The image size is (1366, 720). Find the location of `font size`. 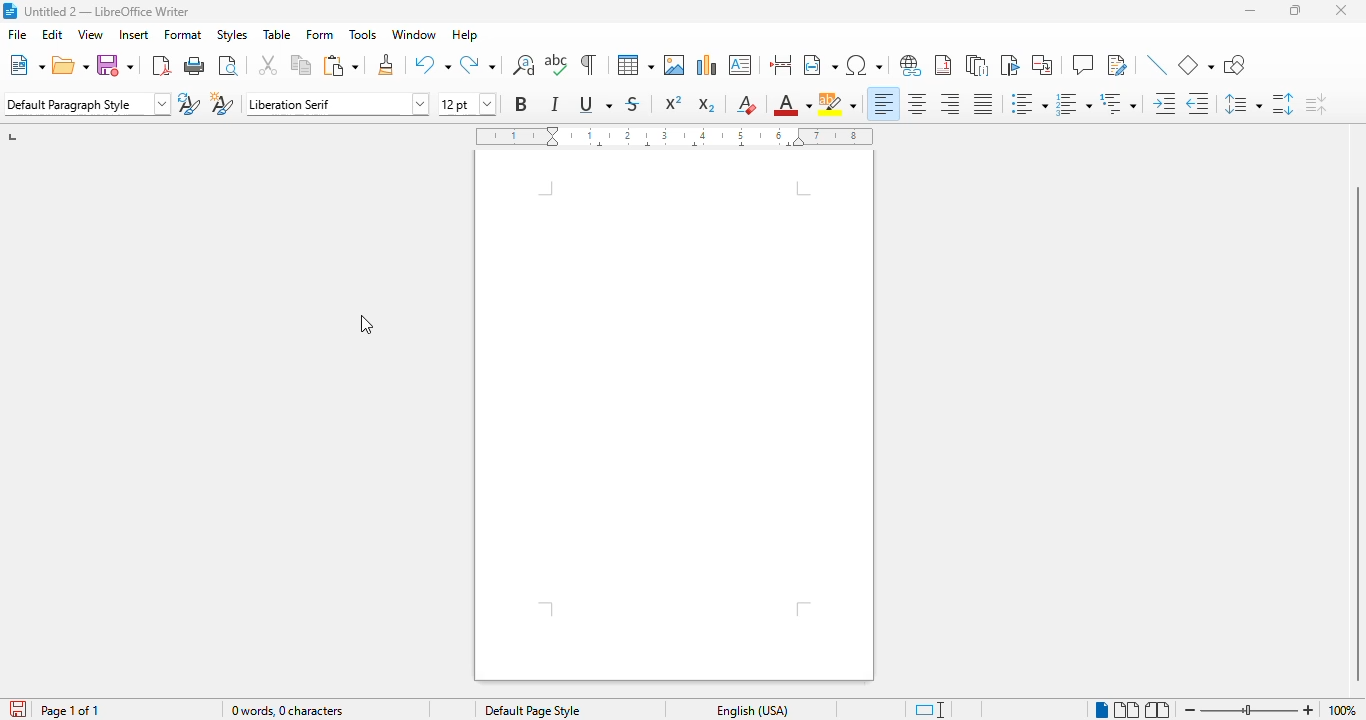

font size is located at coordinates (467, 104).